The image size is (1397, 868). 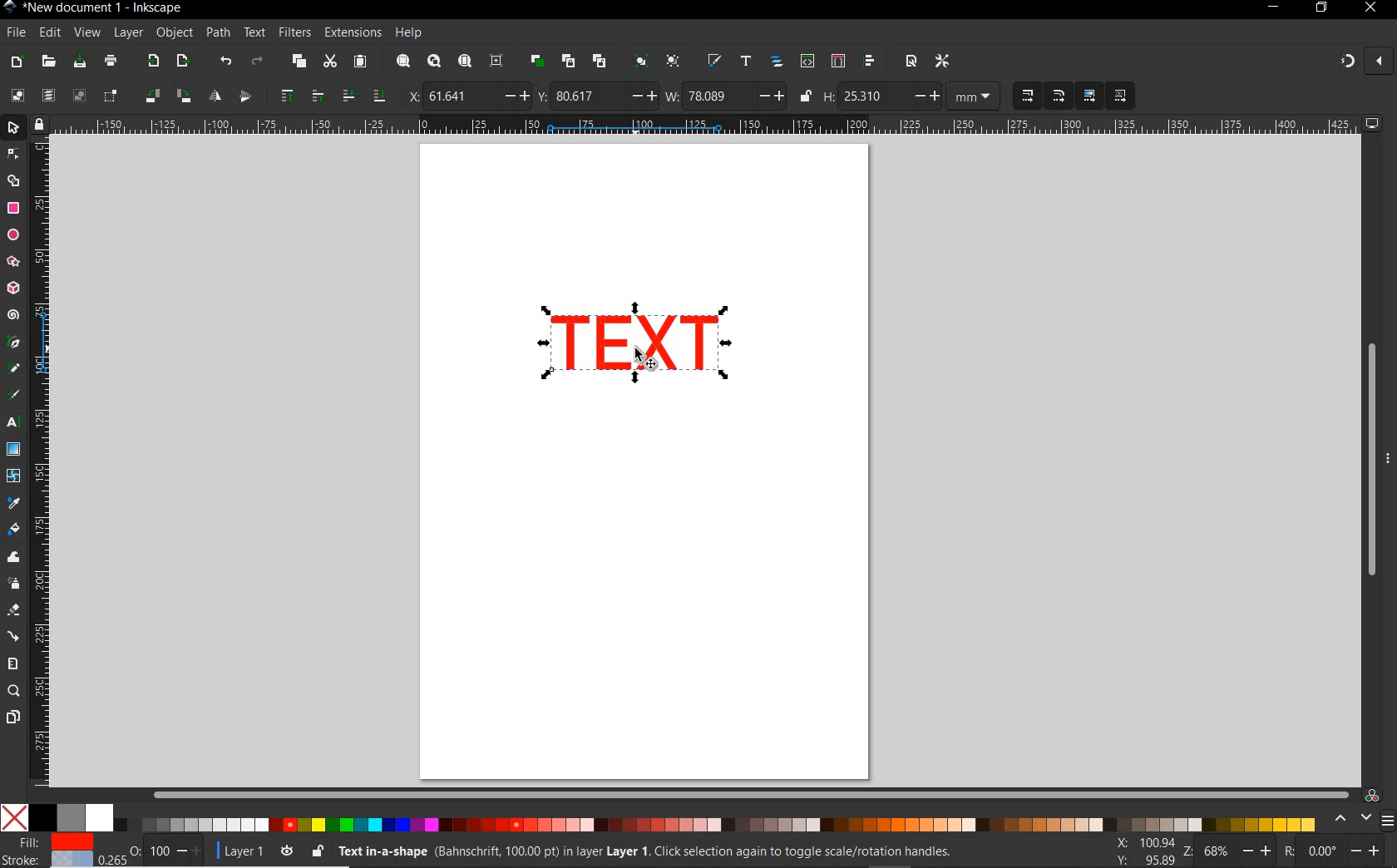 What do you see at coordinates (14, 530) in the screenshot?
I see `paint bucket tool` at bounding box center [14, 530].